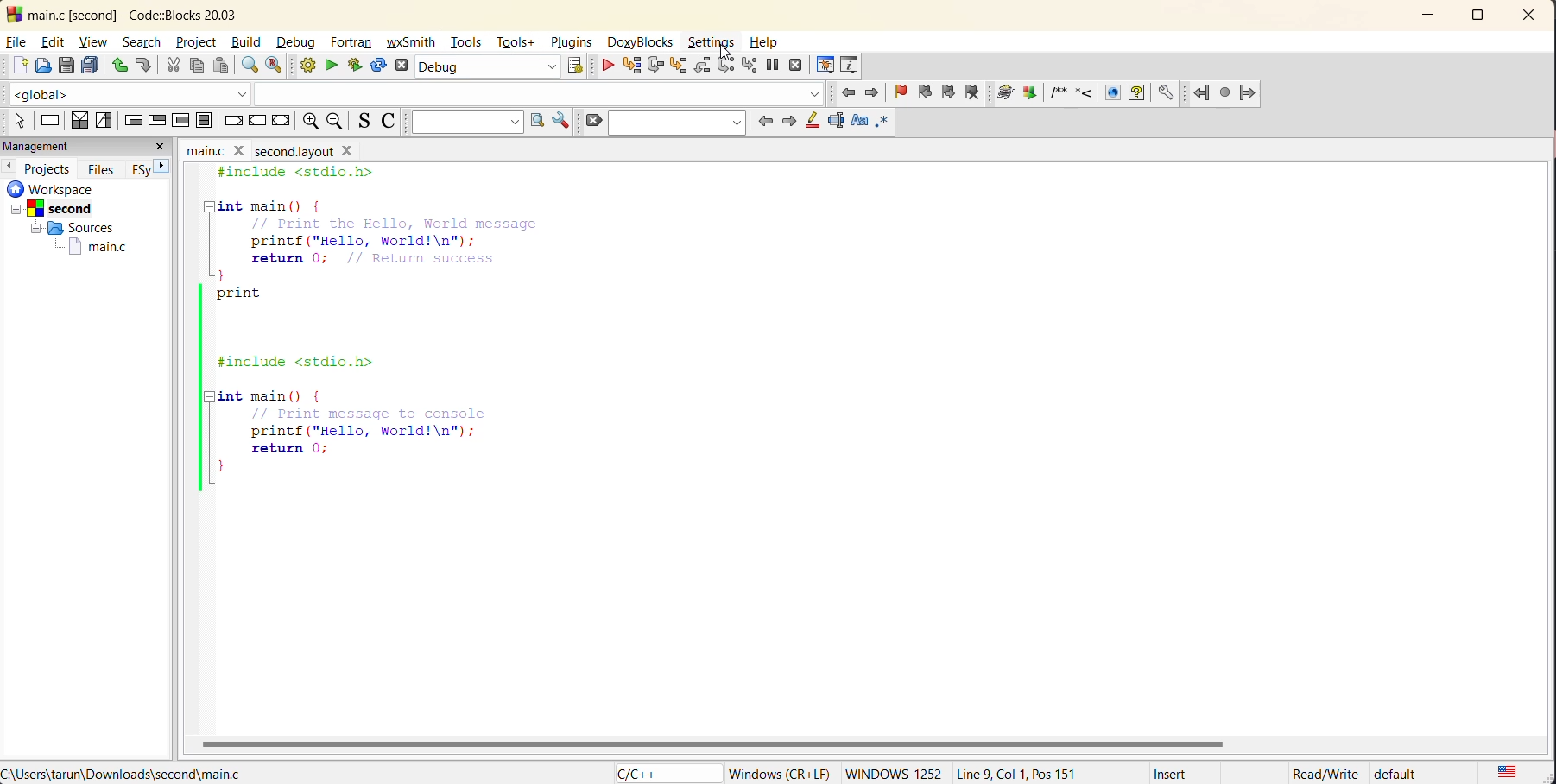 This screenshot has height=784, width=1556. What do you see at coordinates (284, 122) in the screenshot?
I see `return instruction` at bounding box center [284, 122].